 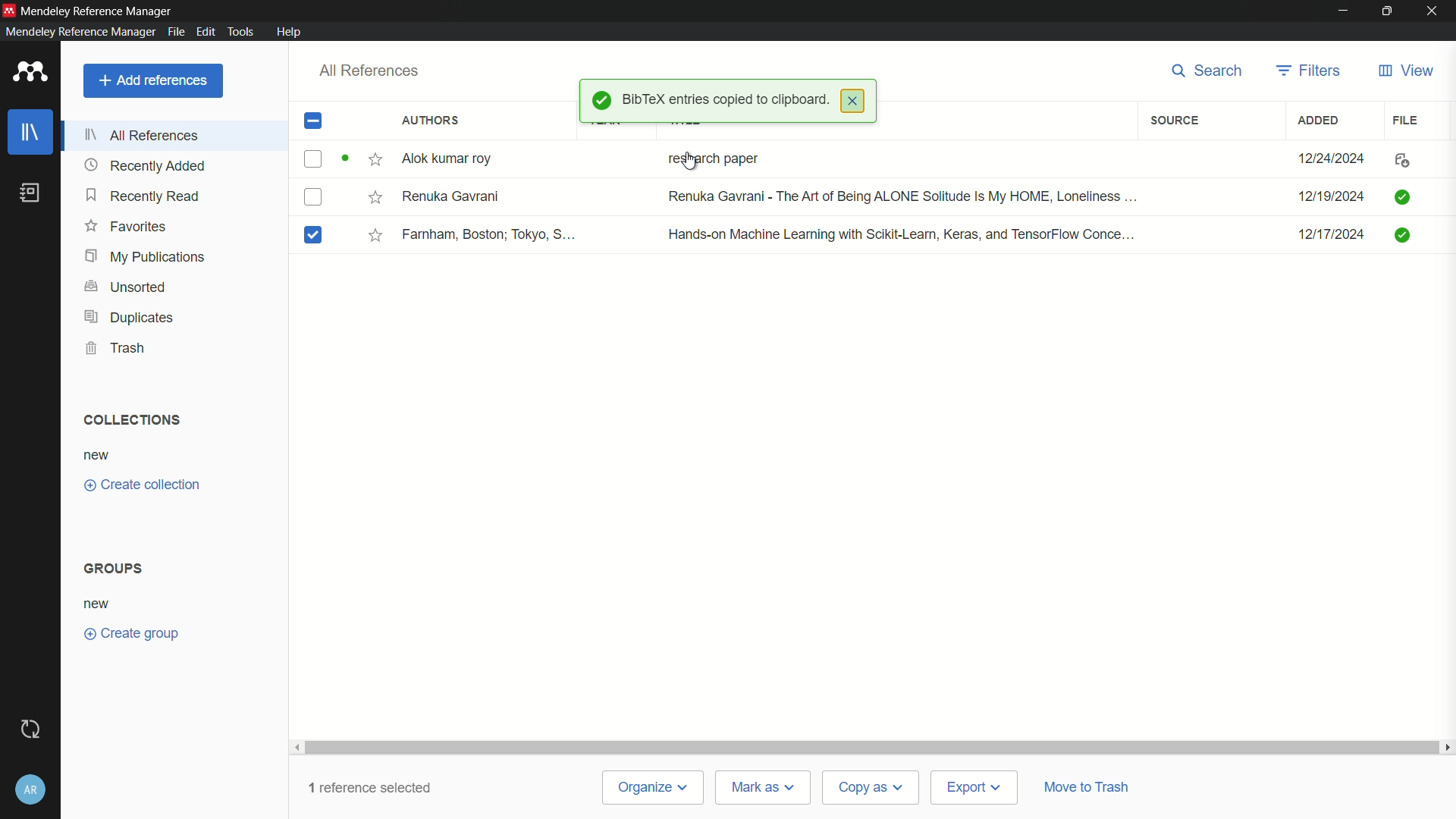 I want to click on Mark it star, so click(x=372, y=198).